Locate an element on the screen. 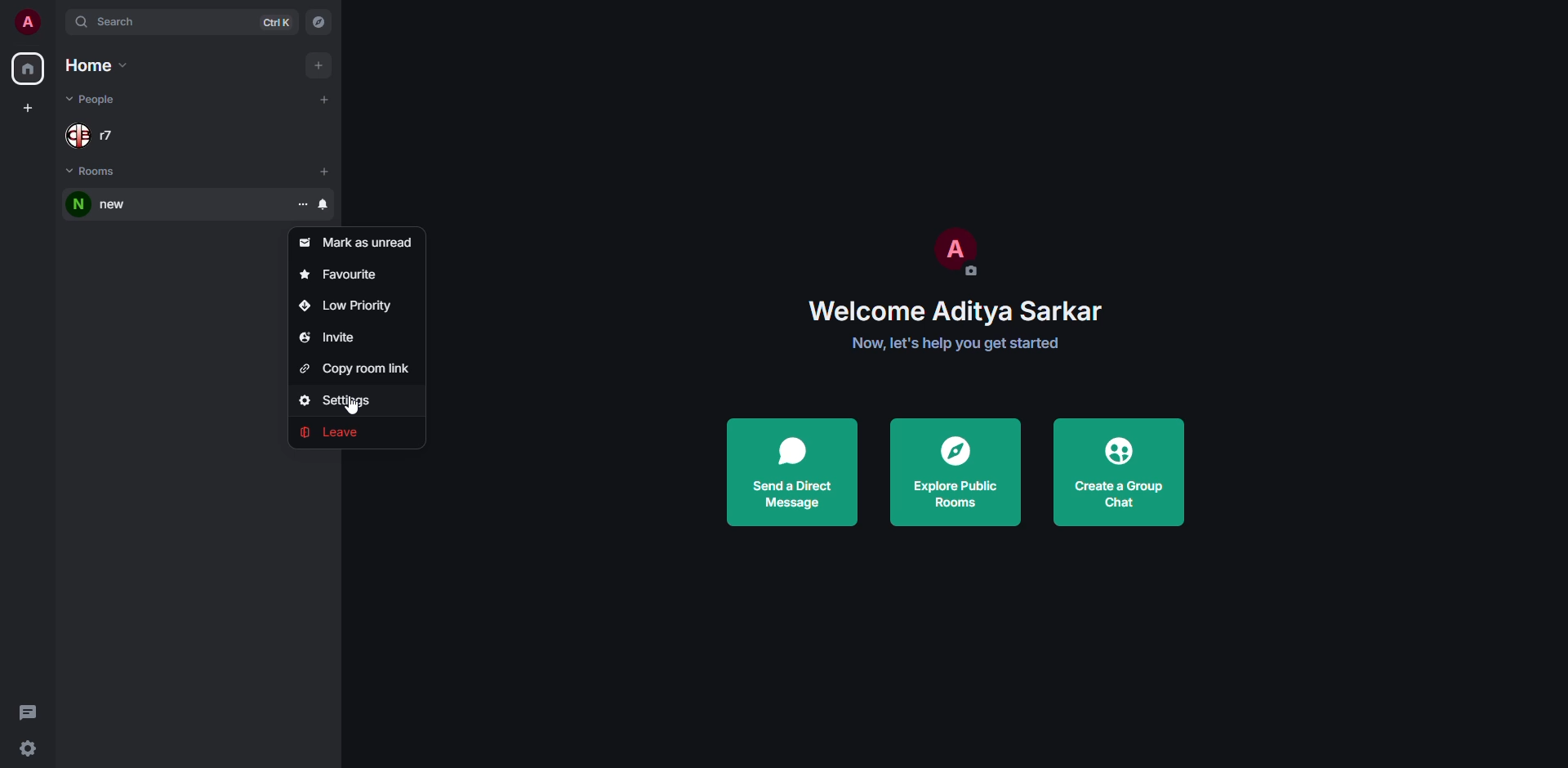 This screenshot has height=768, width=1568. navigator is located at coordinates (317, 20).